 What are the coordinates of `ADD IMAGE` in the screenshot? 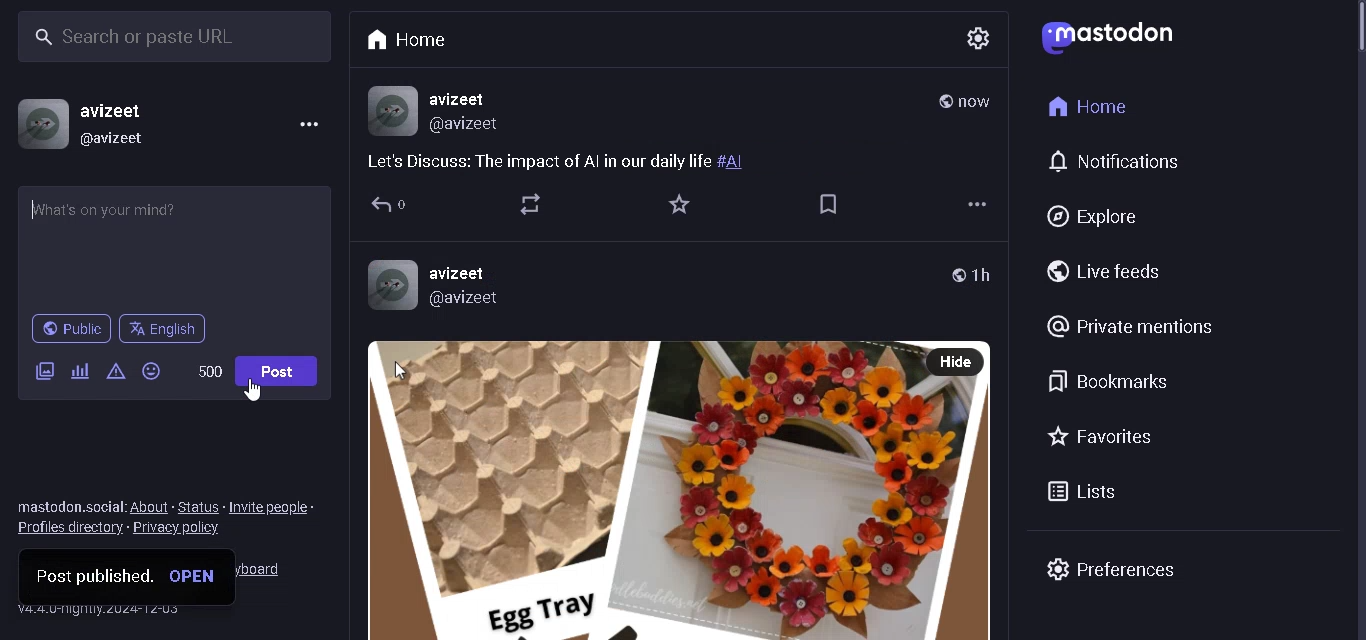 It's located at (44, 369).